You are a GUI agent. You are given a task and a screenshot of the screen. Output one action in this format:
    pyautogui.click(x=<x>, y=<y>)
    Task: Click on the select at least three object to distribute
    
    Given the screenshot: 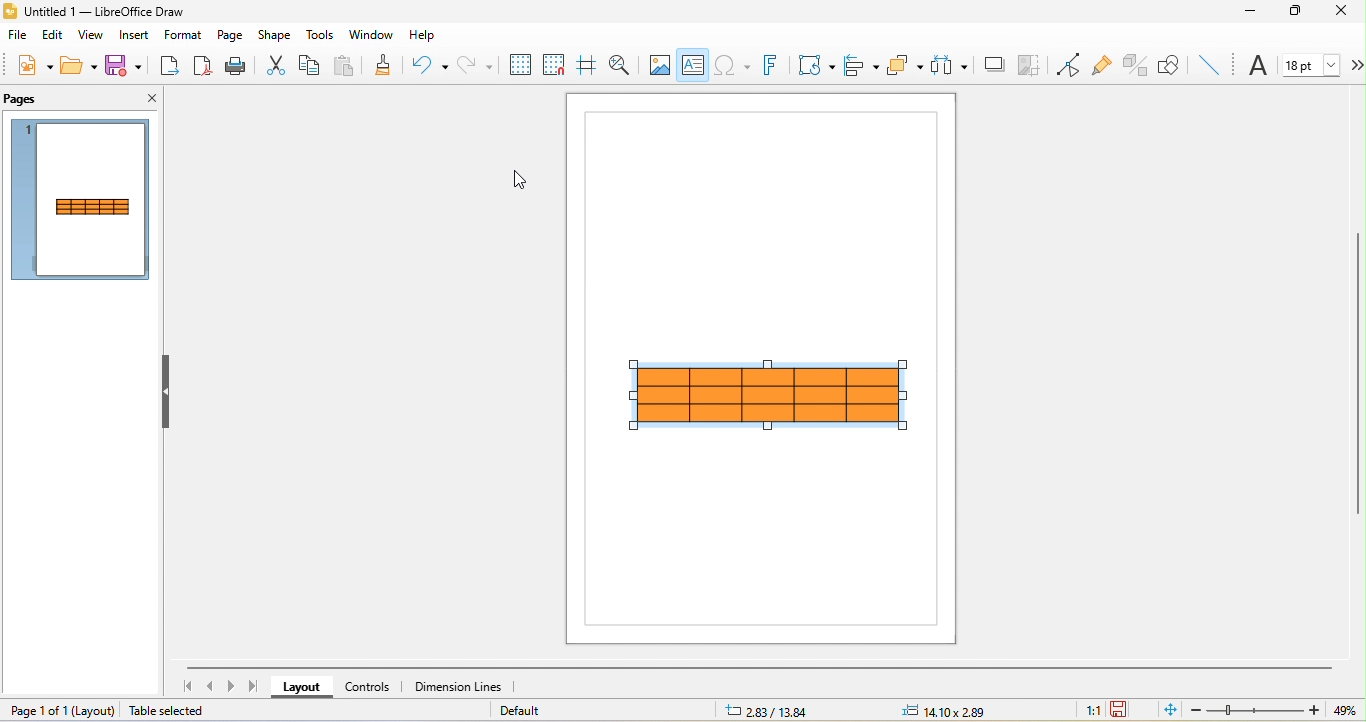 What is the action you would take?
    pyautogui.click(x=950, y=64)
    